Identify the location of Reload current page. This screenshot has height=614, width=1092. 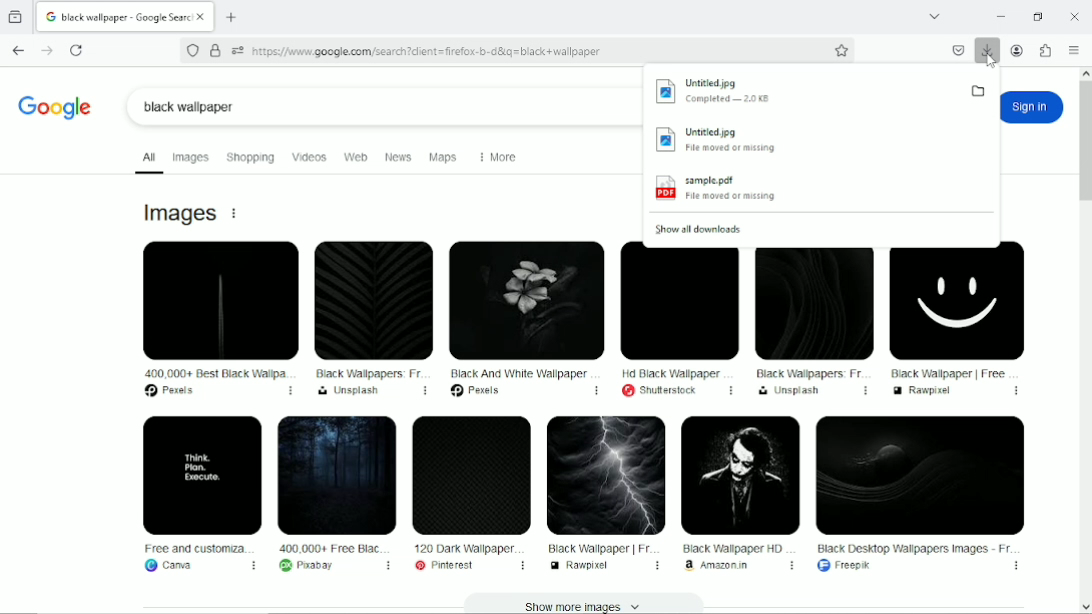
(78, 49).